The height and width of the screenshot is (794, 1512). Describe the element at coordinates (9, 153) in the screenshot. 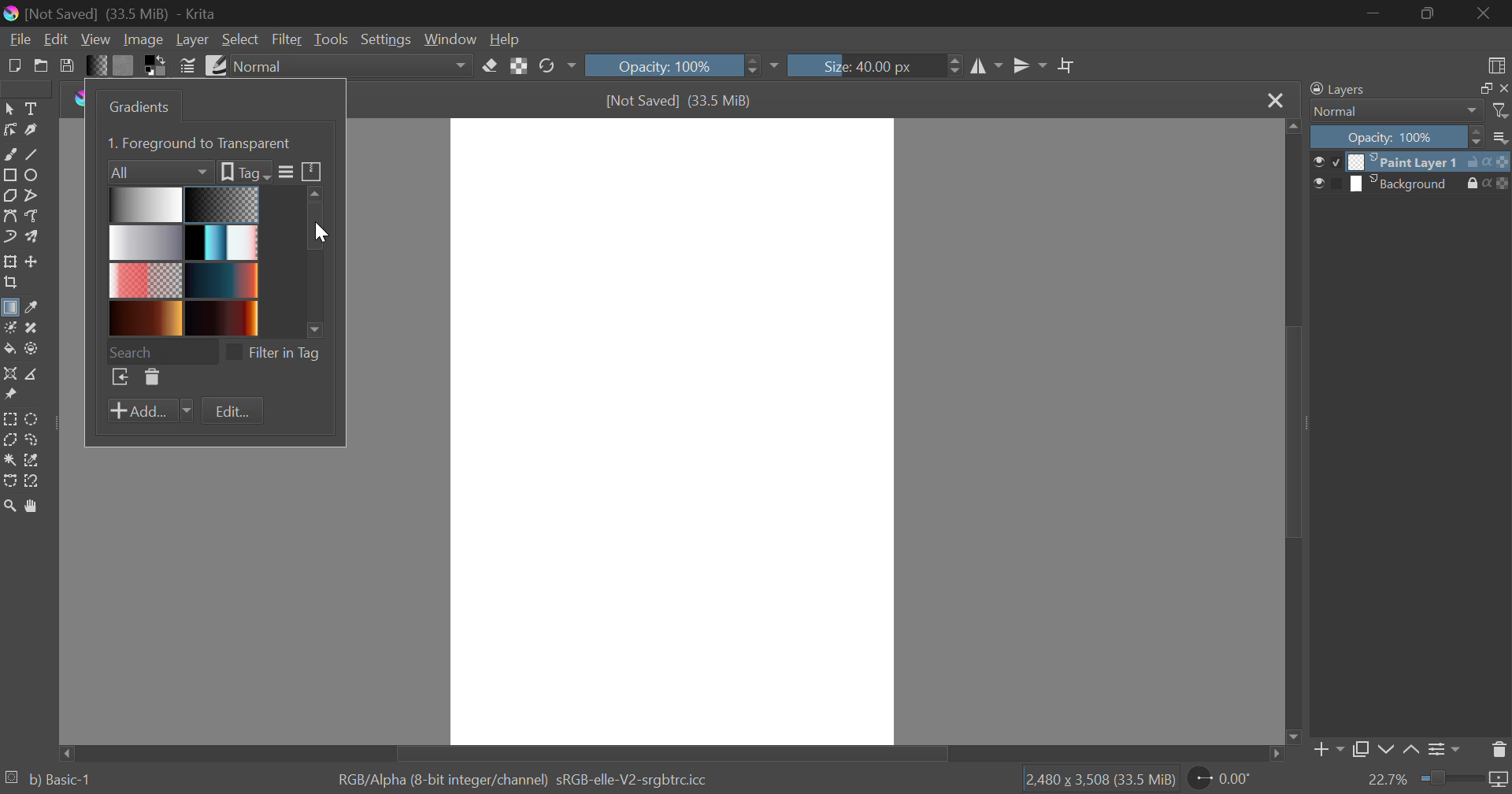

I see `Freehand` at that location.